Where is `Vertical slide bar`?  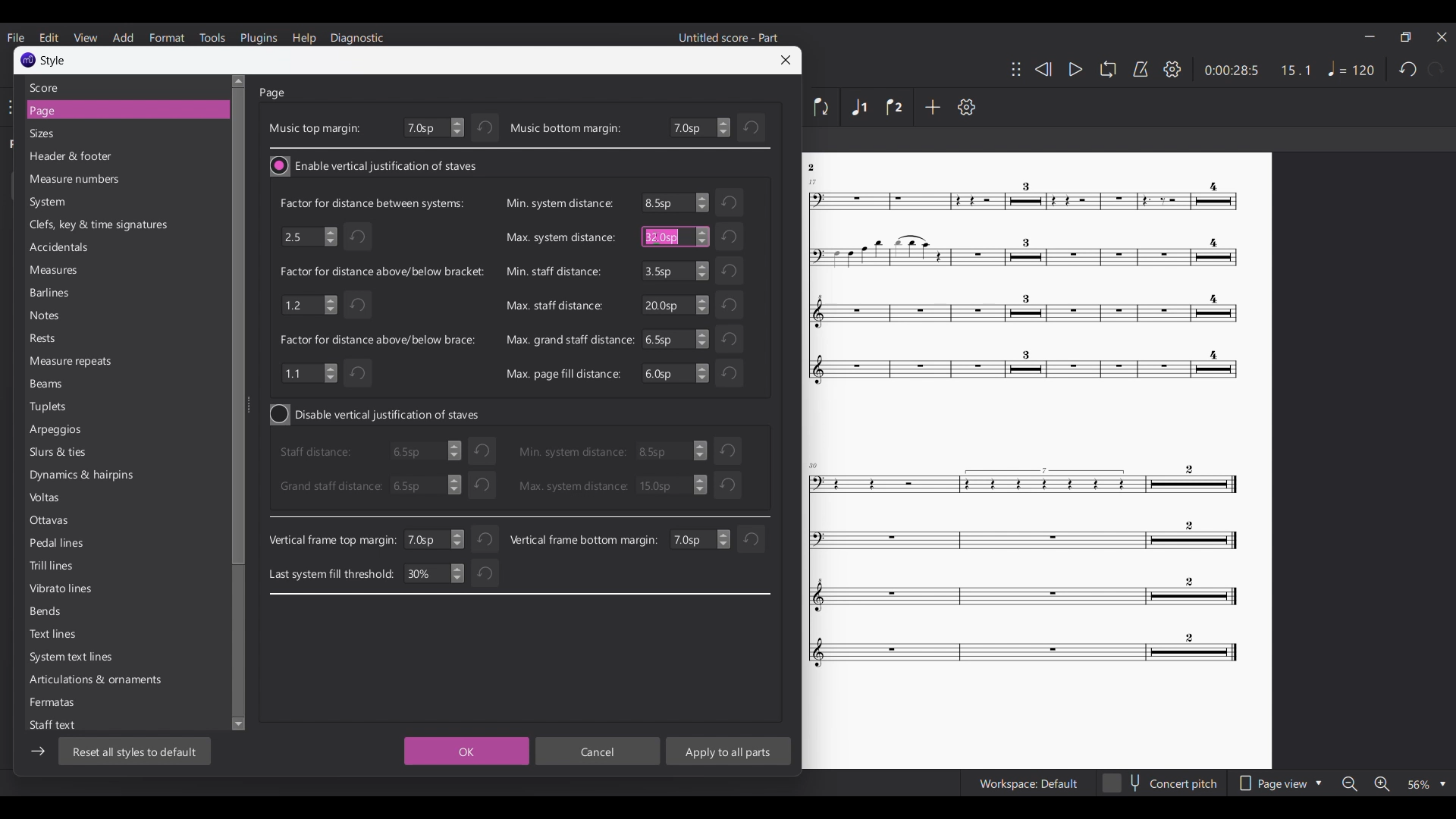 Vertical slide bar is located at coordinates (238, 403).